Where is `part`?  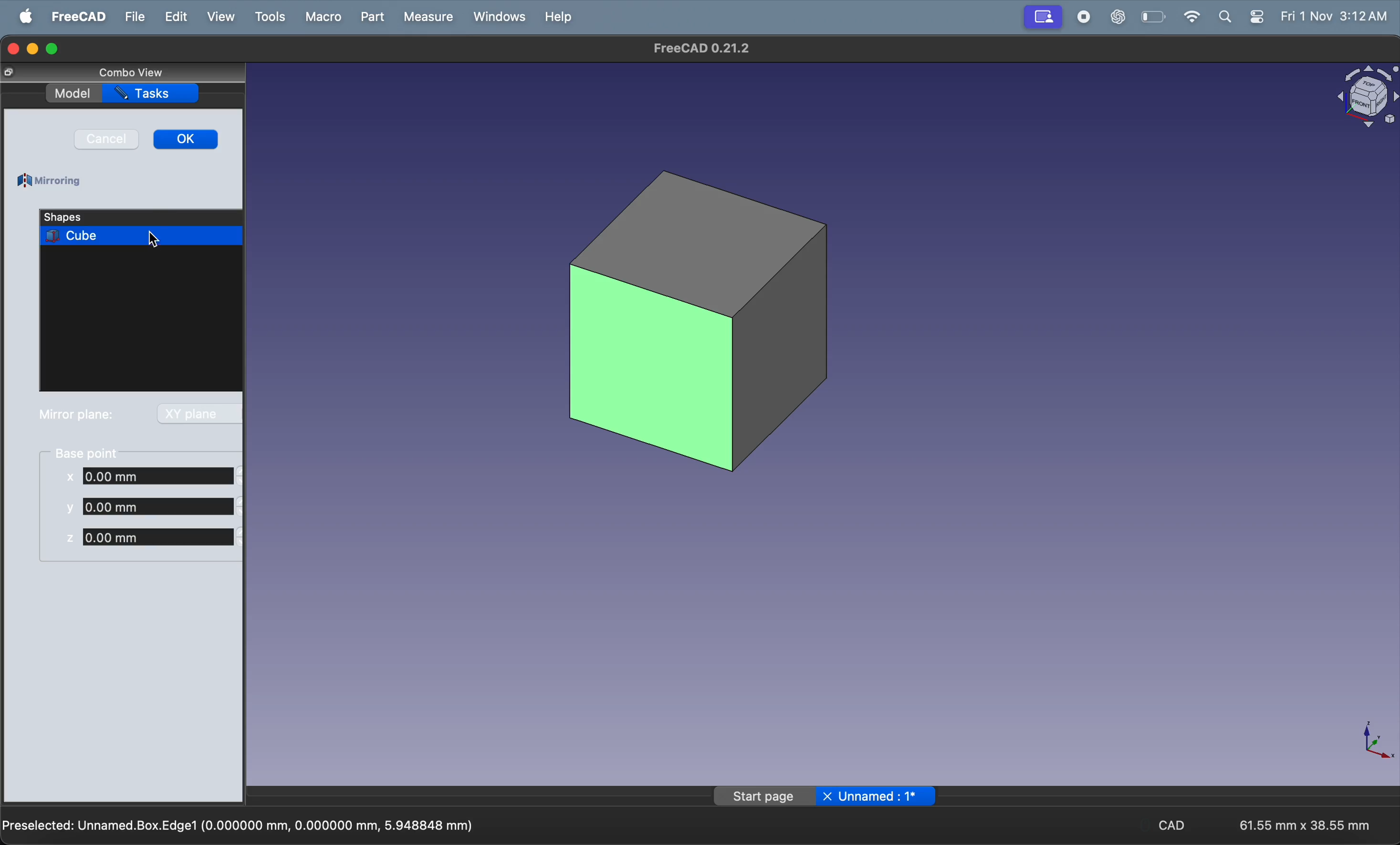 part is located at coordinates (372, 17).